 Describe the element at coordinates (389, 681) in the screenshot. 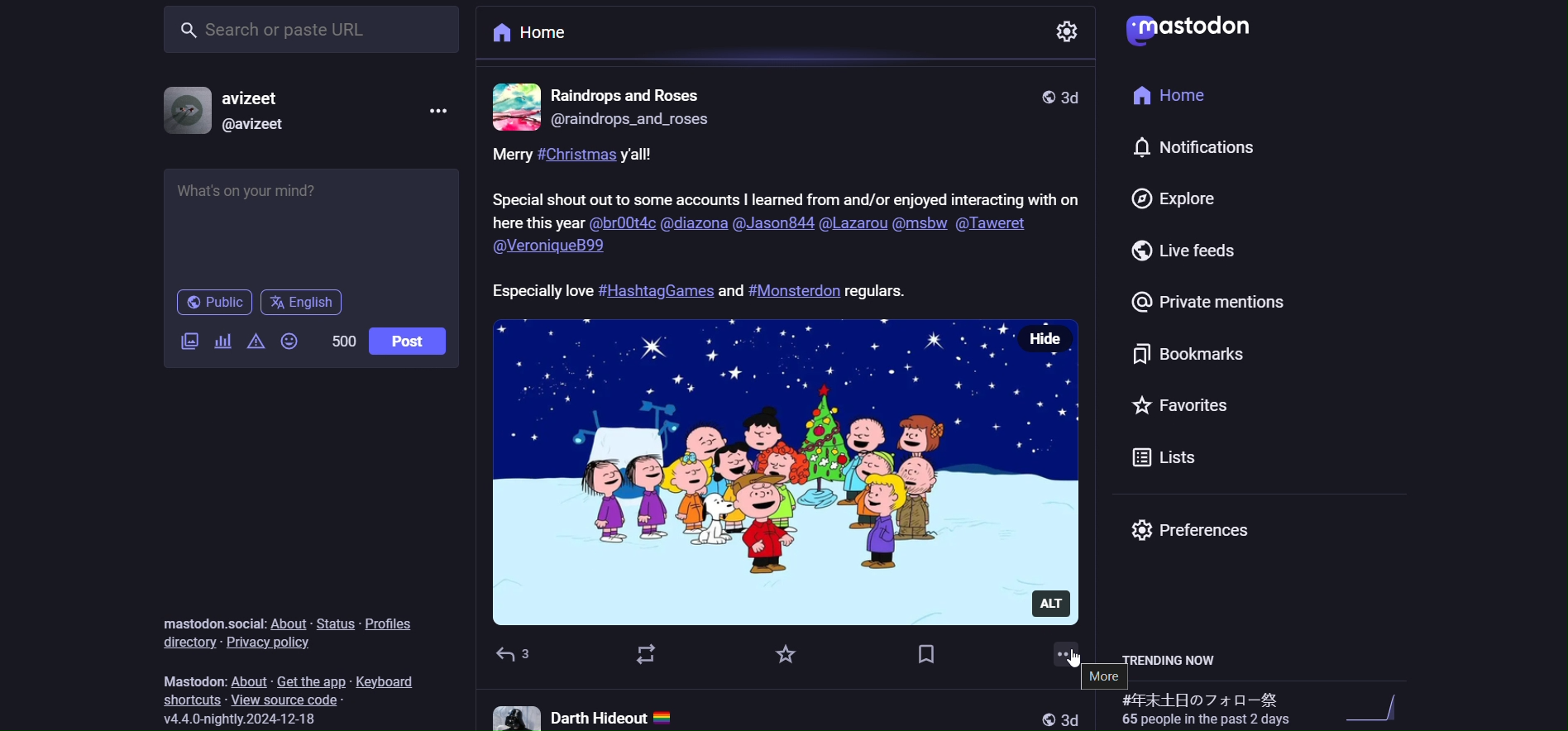

I see `keyboard` at that location.